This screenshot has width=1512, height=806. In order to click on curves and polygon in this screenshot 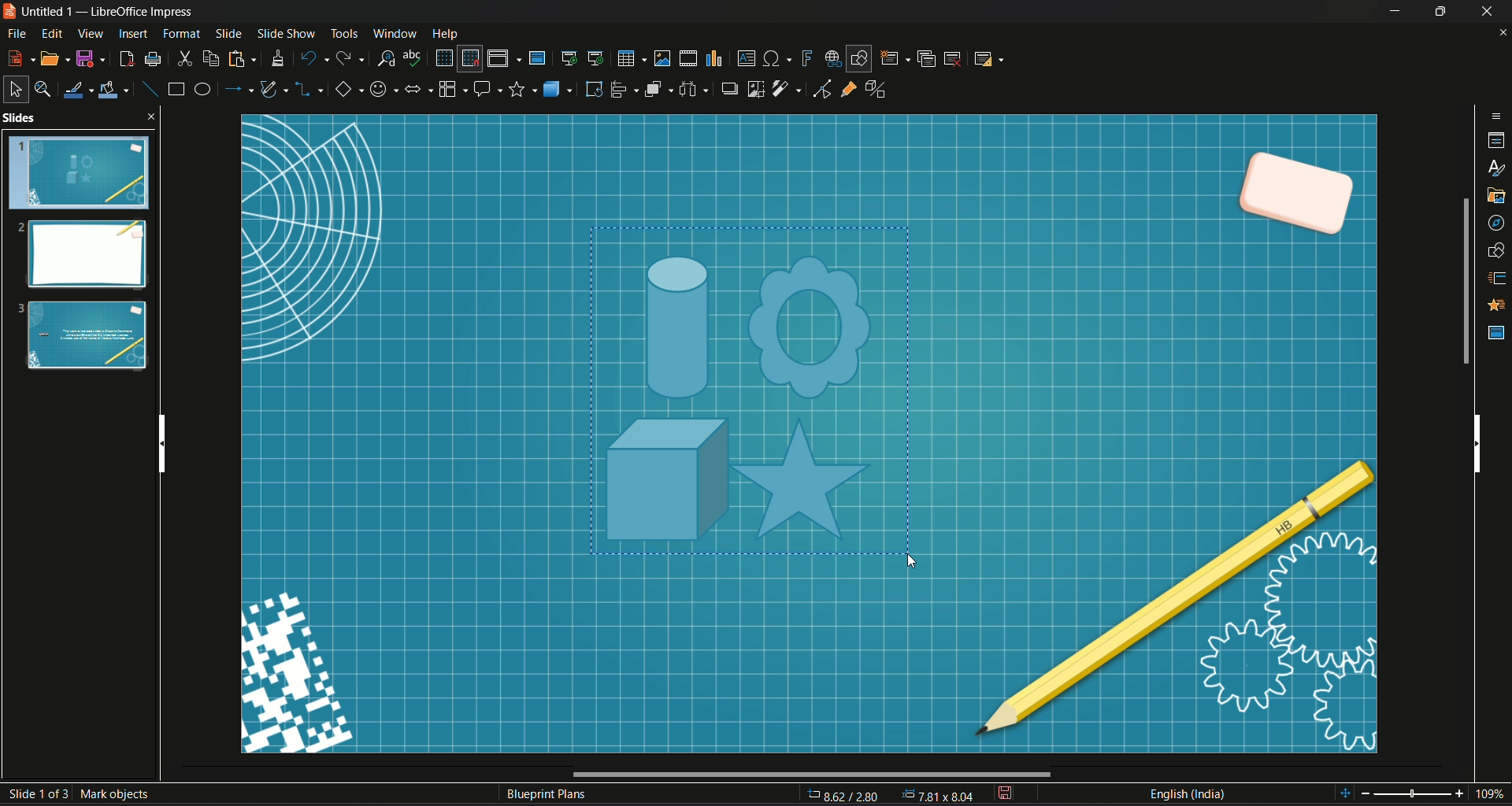, I will do `click(276, 90)`.